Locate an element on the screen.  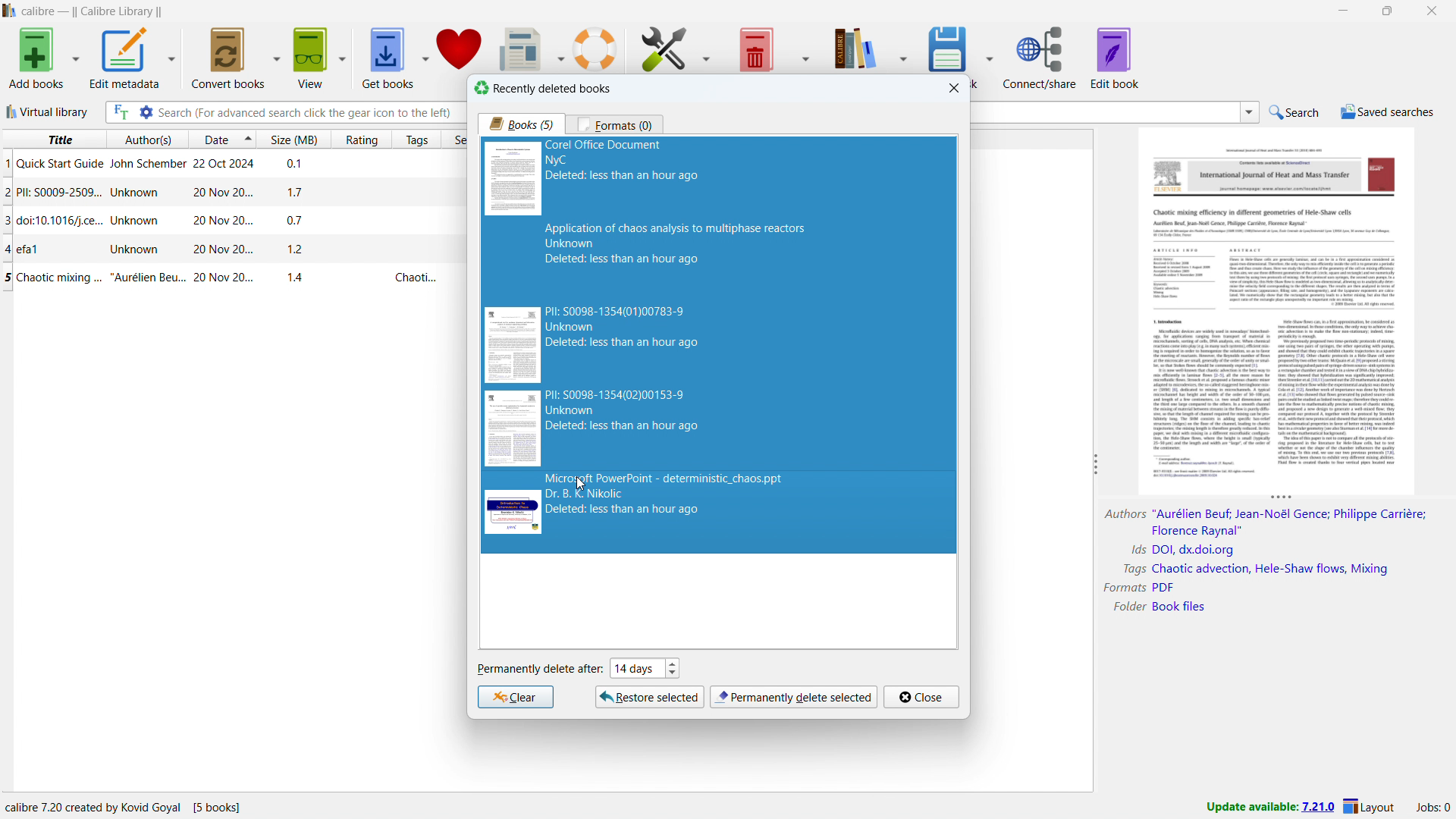
remove books is located at coordinates (755, 48).